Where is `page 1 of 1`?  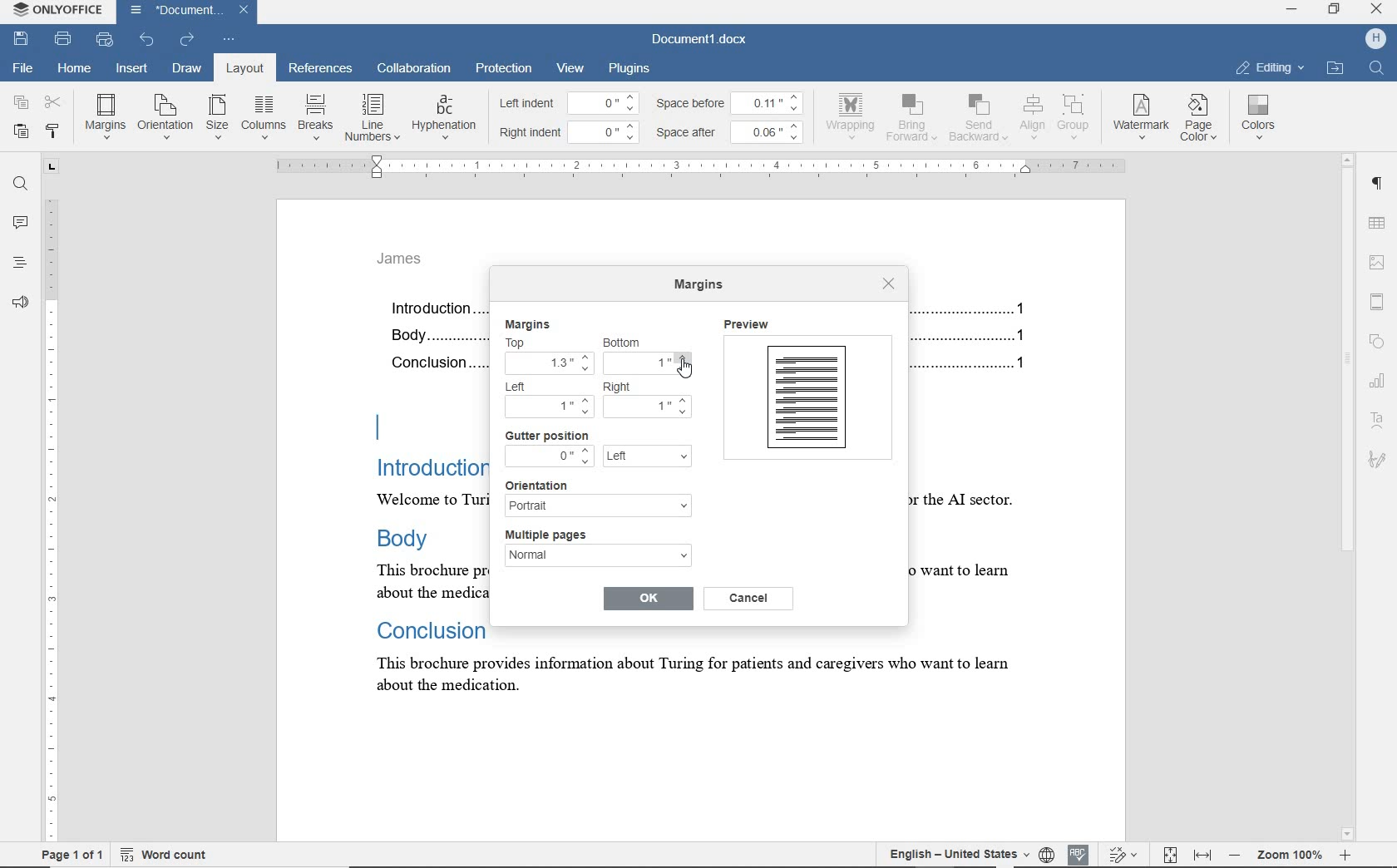 page 1 of 1 is located at coordinates (72, 854).